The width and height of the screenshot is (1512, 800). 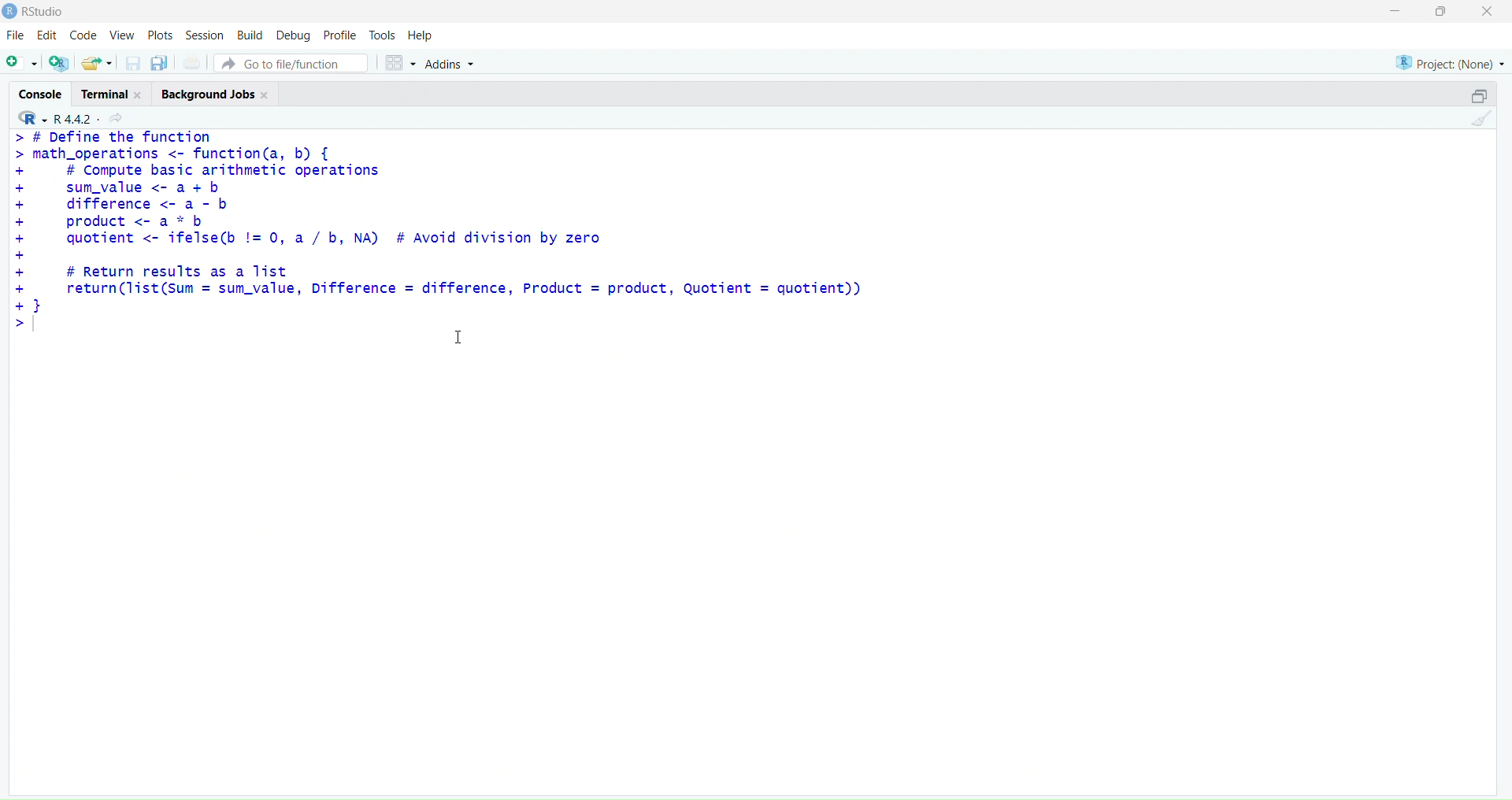 I want to click on Maximize, so click(x=1479, y=93).